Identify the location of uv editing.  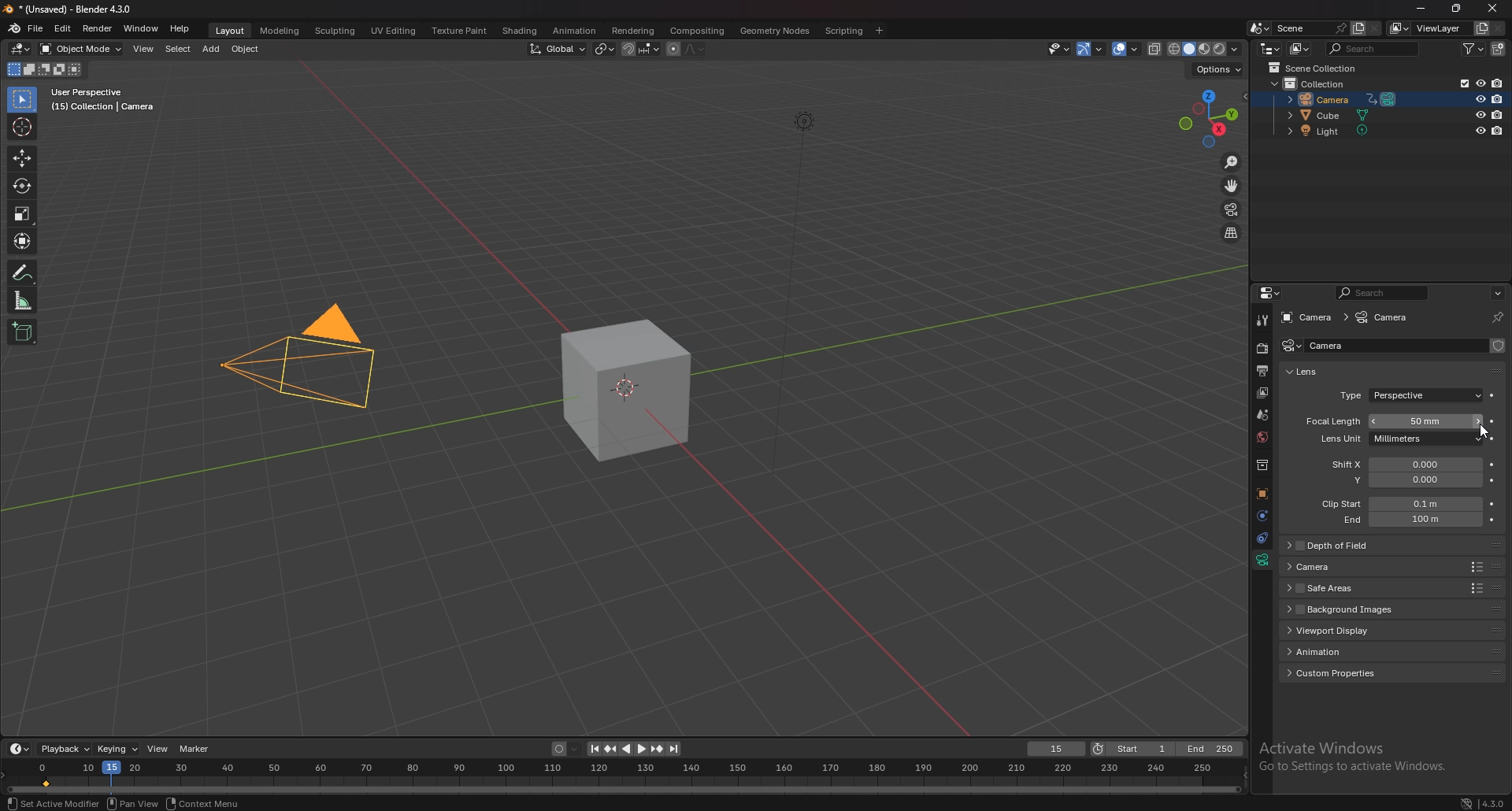
(393, 31).